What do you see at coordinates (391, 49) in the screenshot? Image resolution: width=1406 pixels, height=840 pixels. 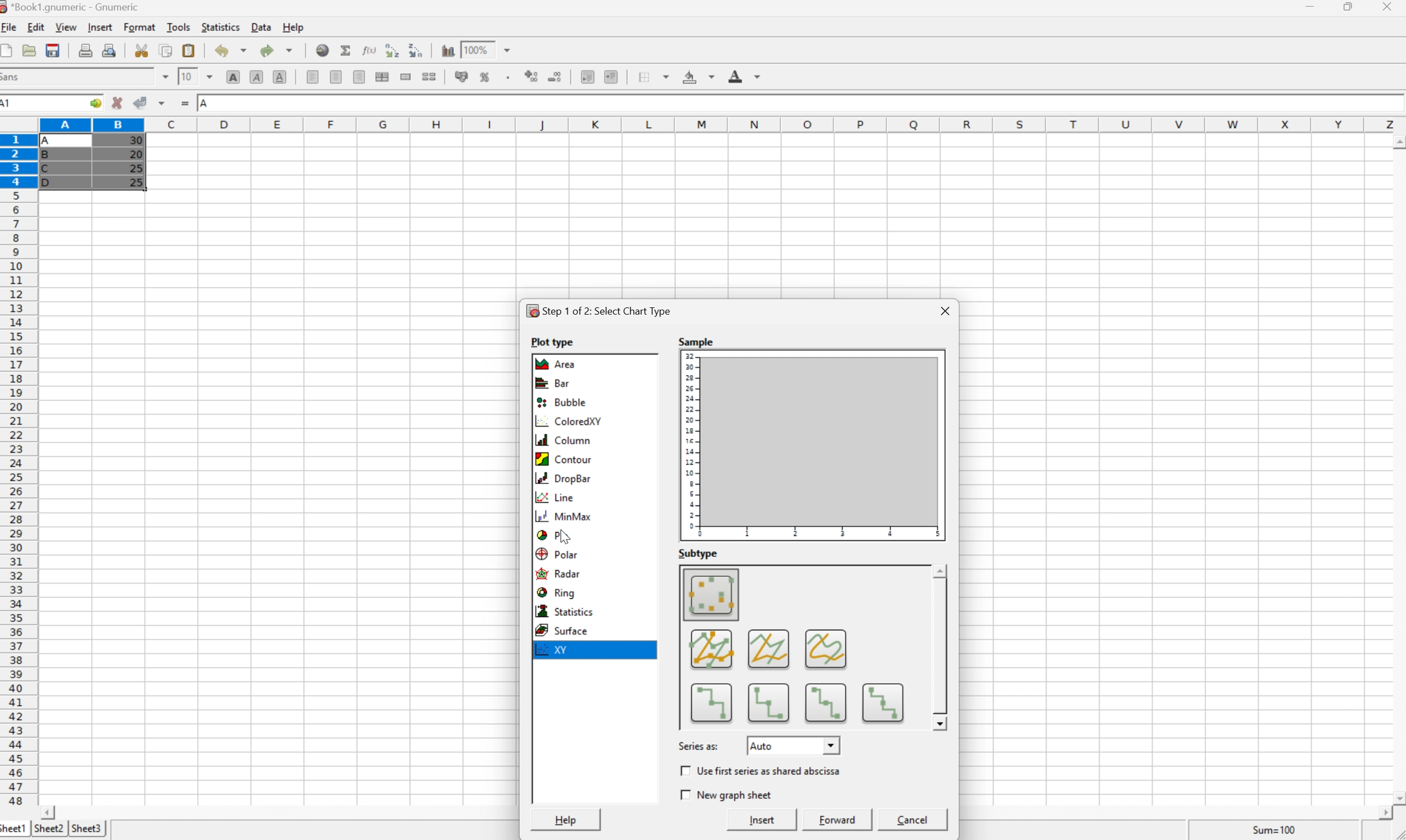 I see `Sort the selected region in descending order based on the first column selected` at bounding box center [391, 49].